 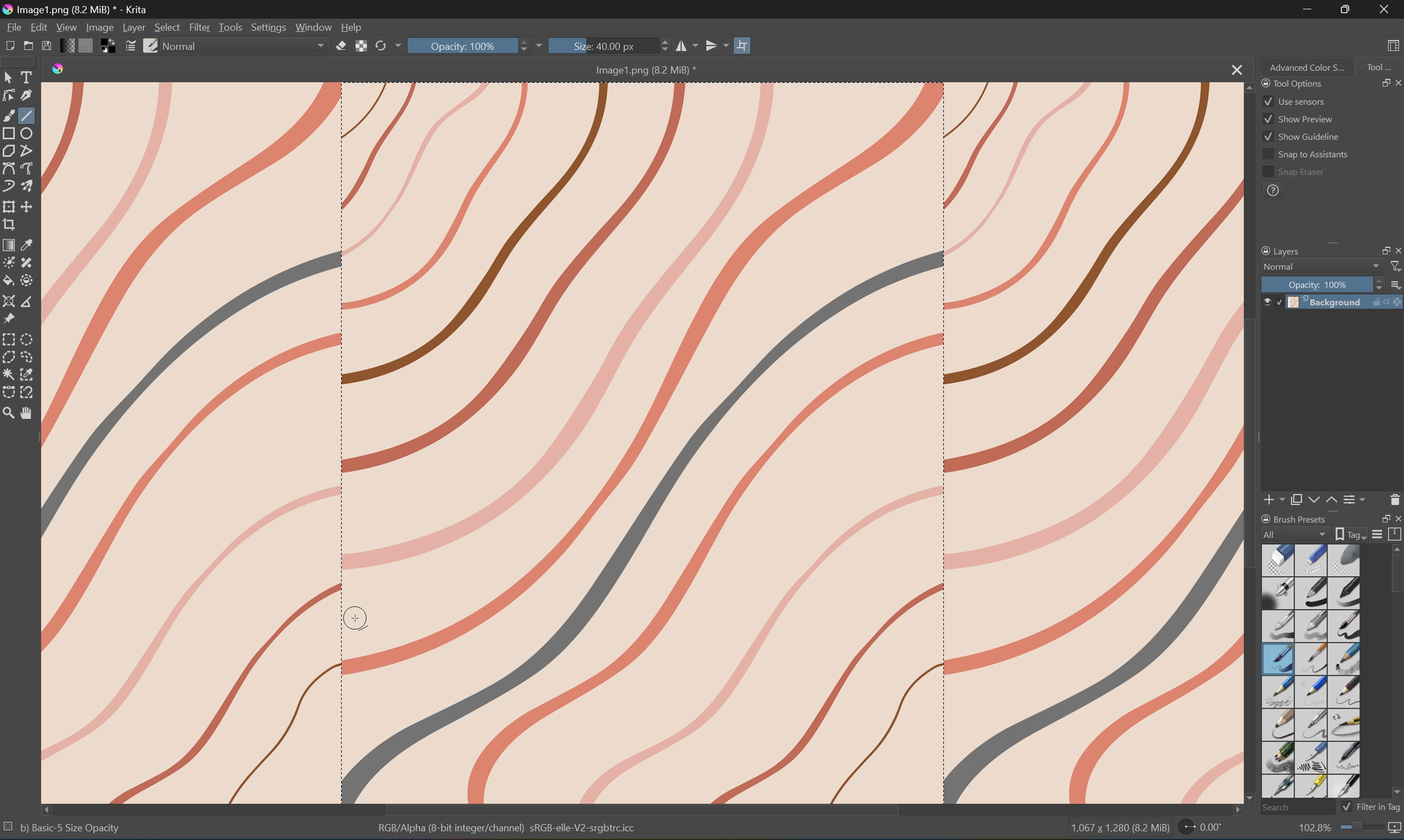 I want to click on View, so click(x=66, y=27).